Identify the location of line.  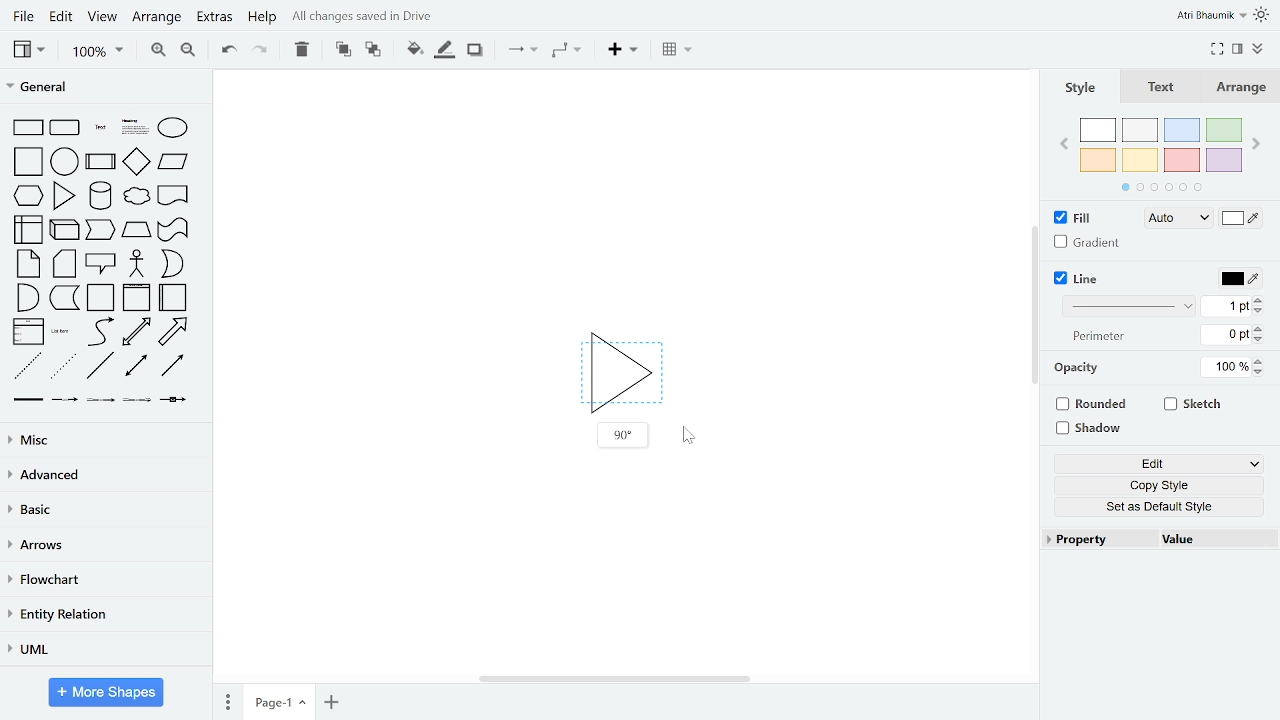
(1082, 278).